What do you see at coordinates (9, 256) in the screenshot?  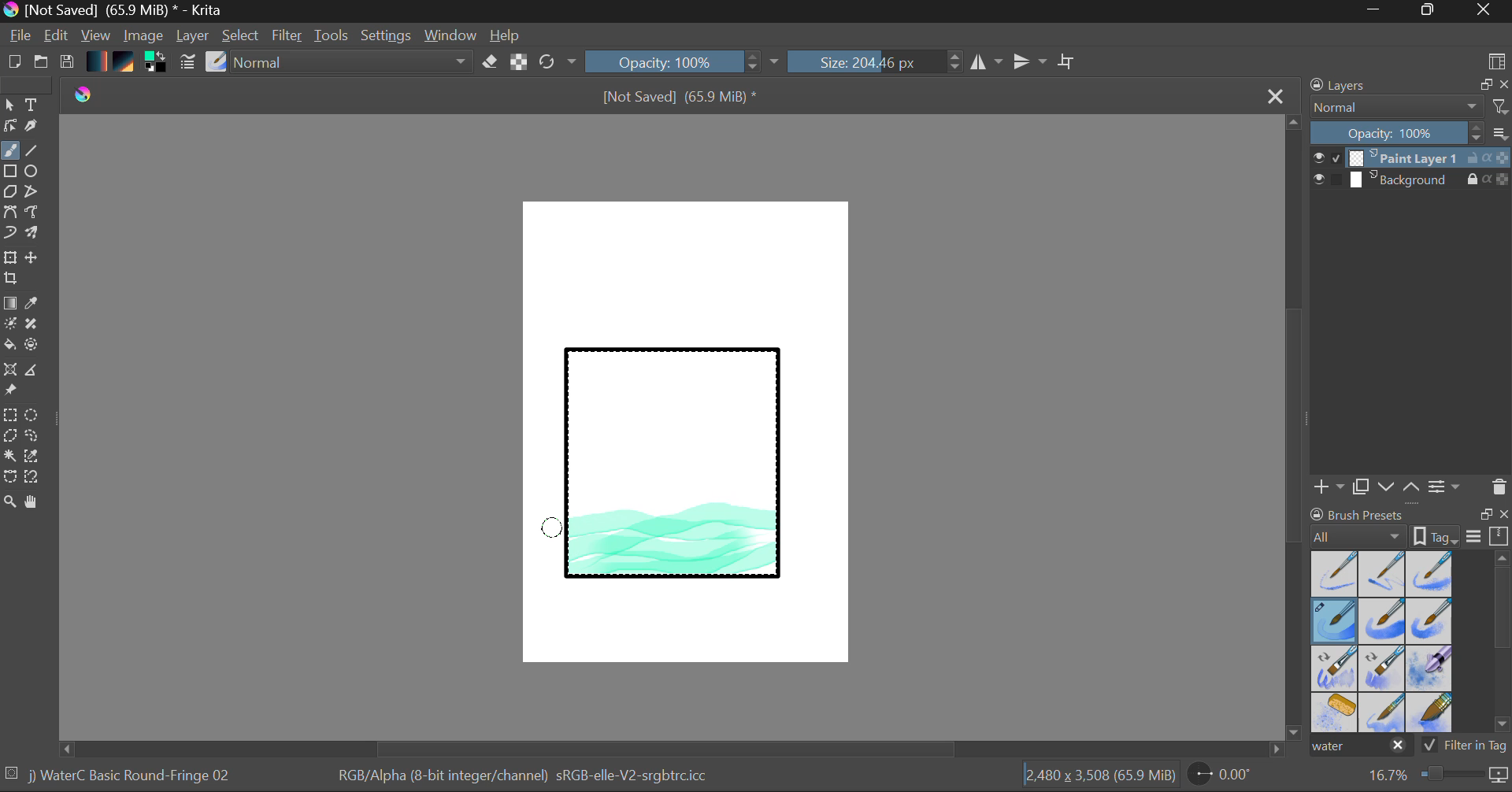 I see `Transform Layer` at bounding box center [9, 256].